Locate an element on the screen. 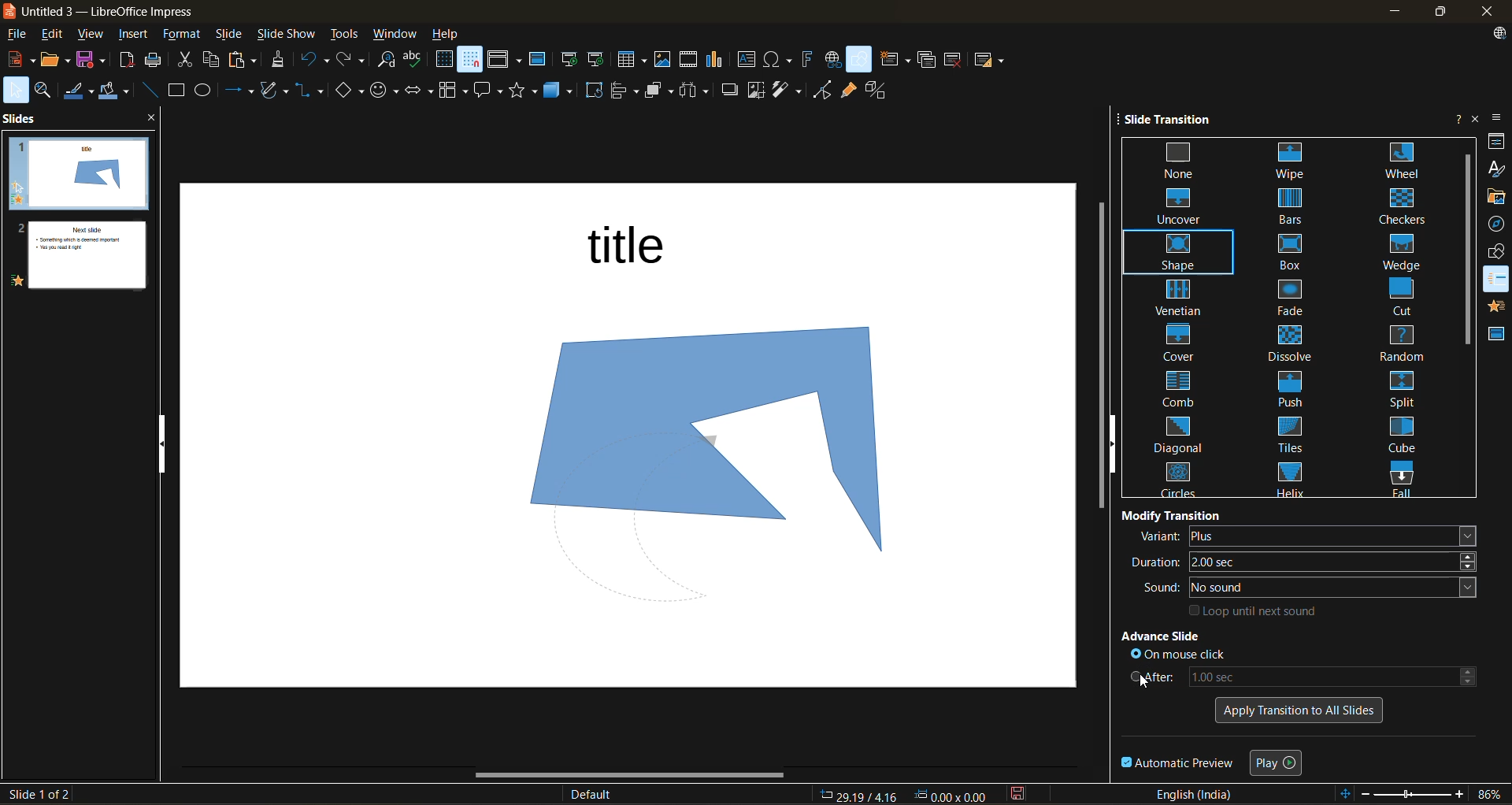  display grid is located at coordinates (444, 60).